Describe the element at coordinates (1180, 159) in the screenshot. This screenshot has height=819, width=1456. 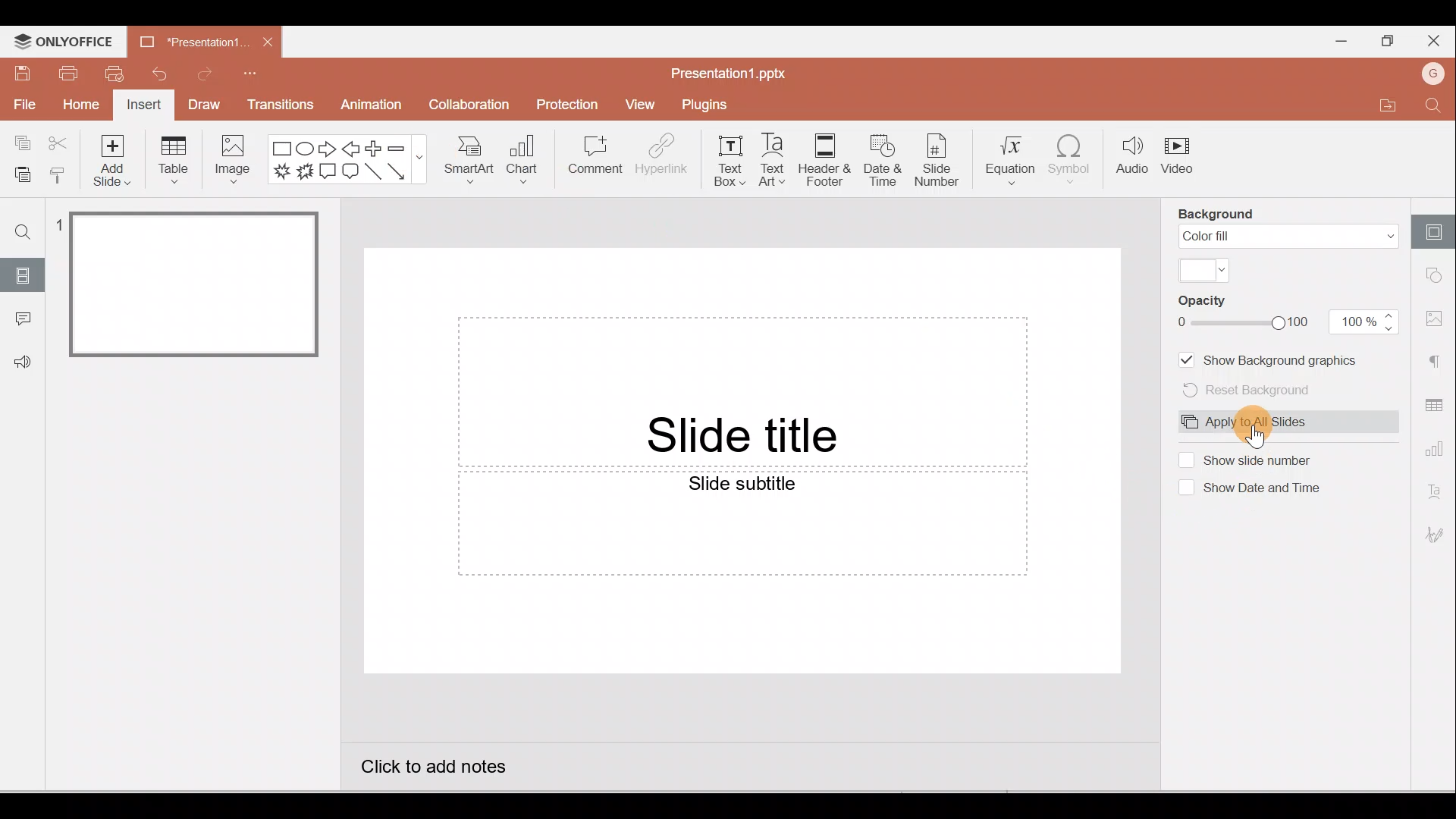
I see `video` at that location.